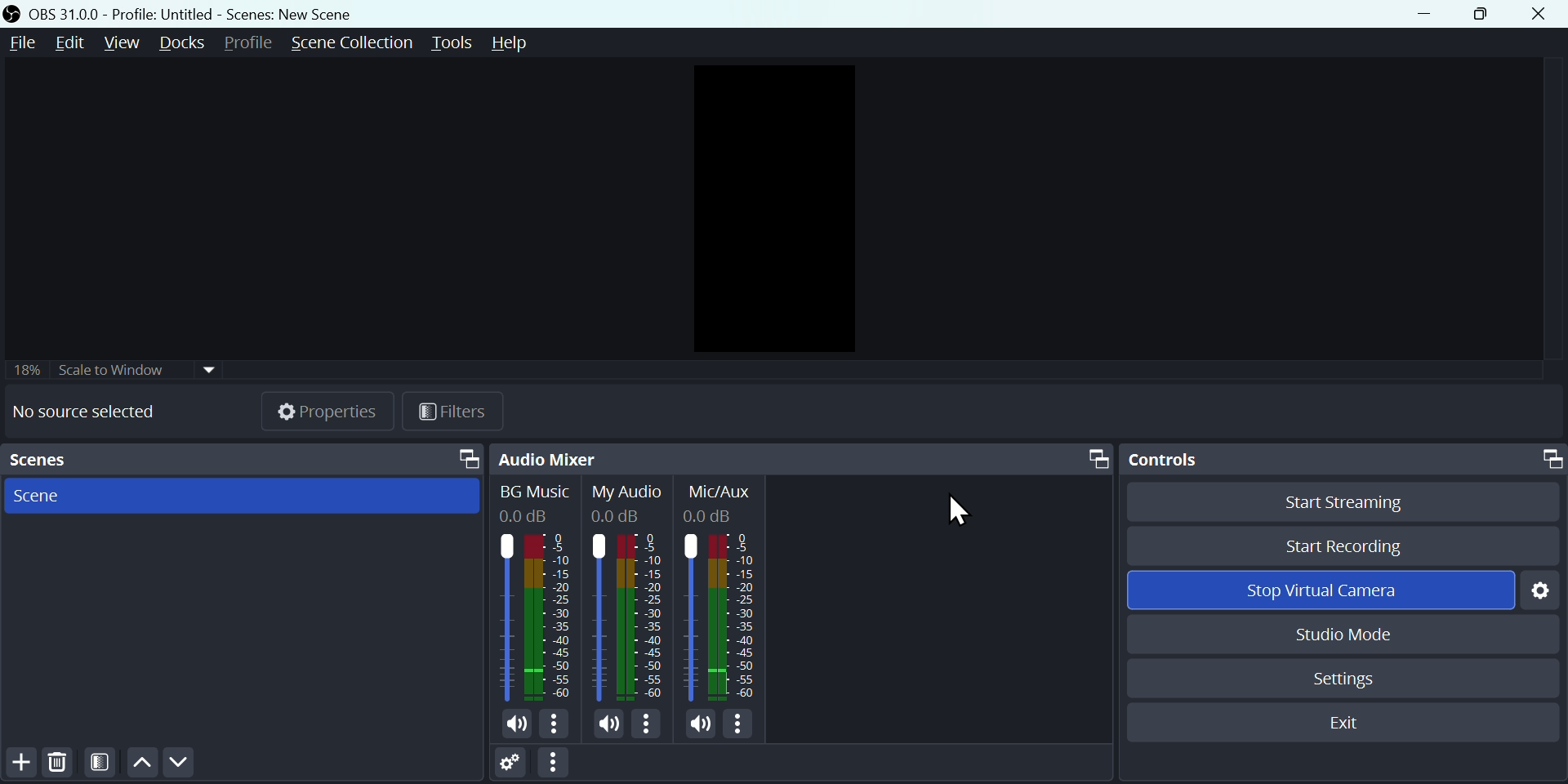 The width and height of the screenshot is (1568, 784). I want to click on Down, so click(177, 762).